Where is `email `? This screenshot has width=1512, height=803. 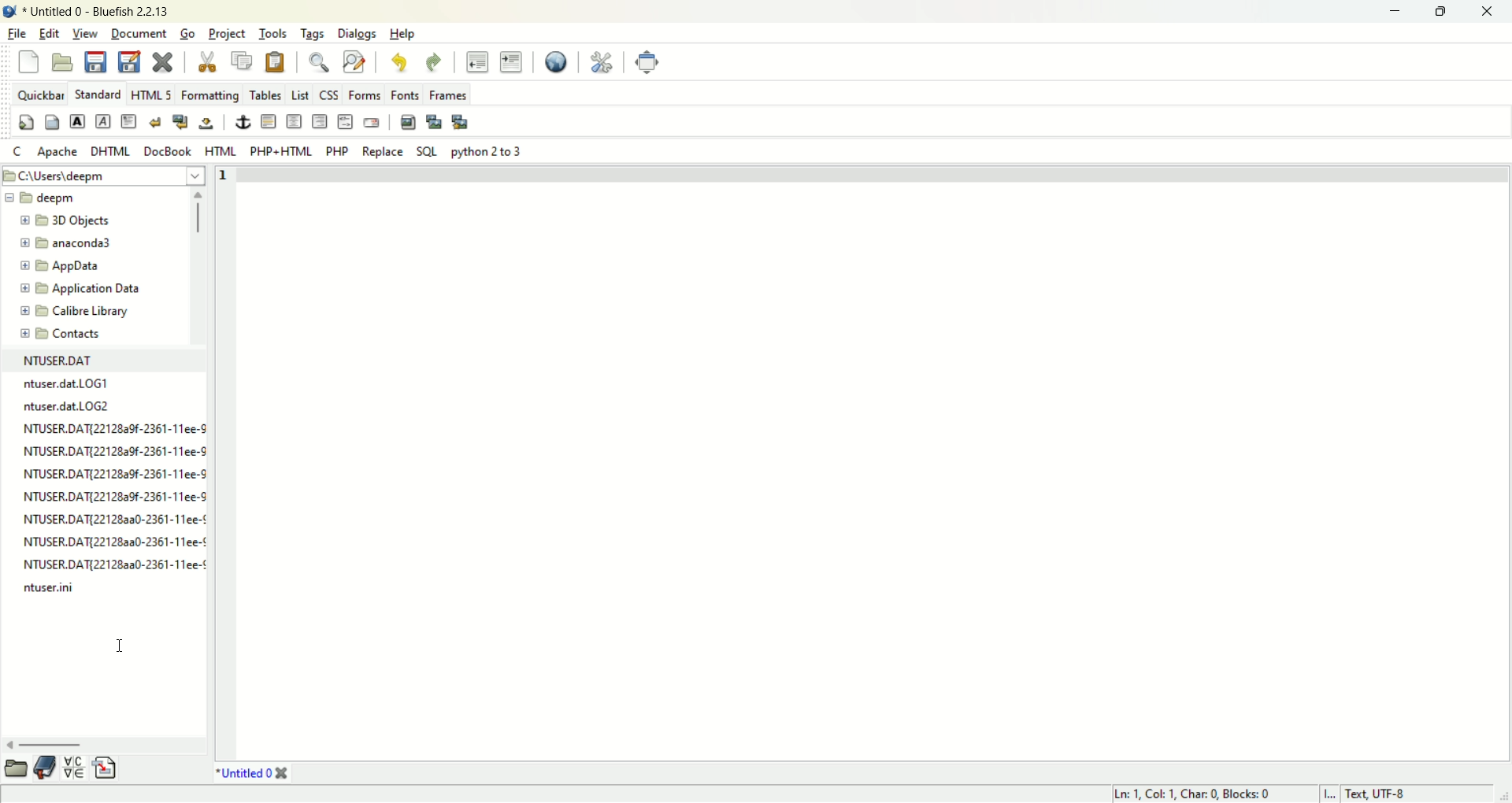
email  is located at coordinates (375, 121).